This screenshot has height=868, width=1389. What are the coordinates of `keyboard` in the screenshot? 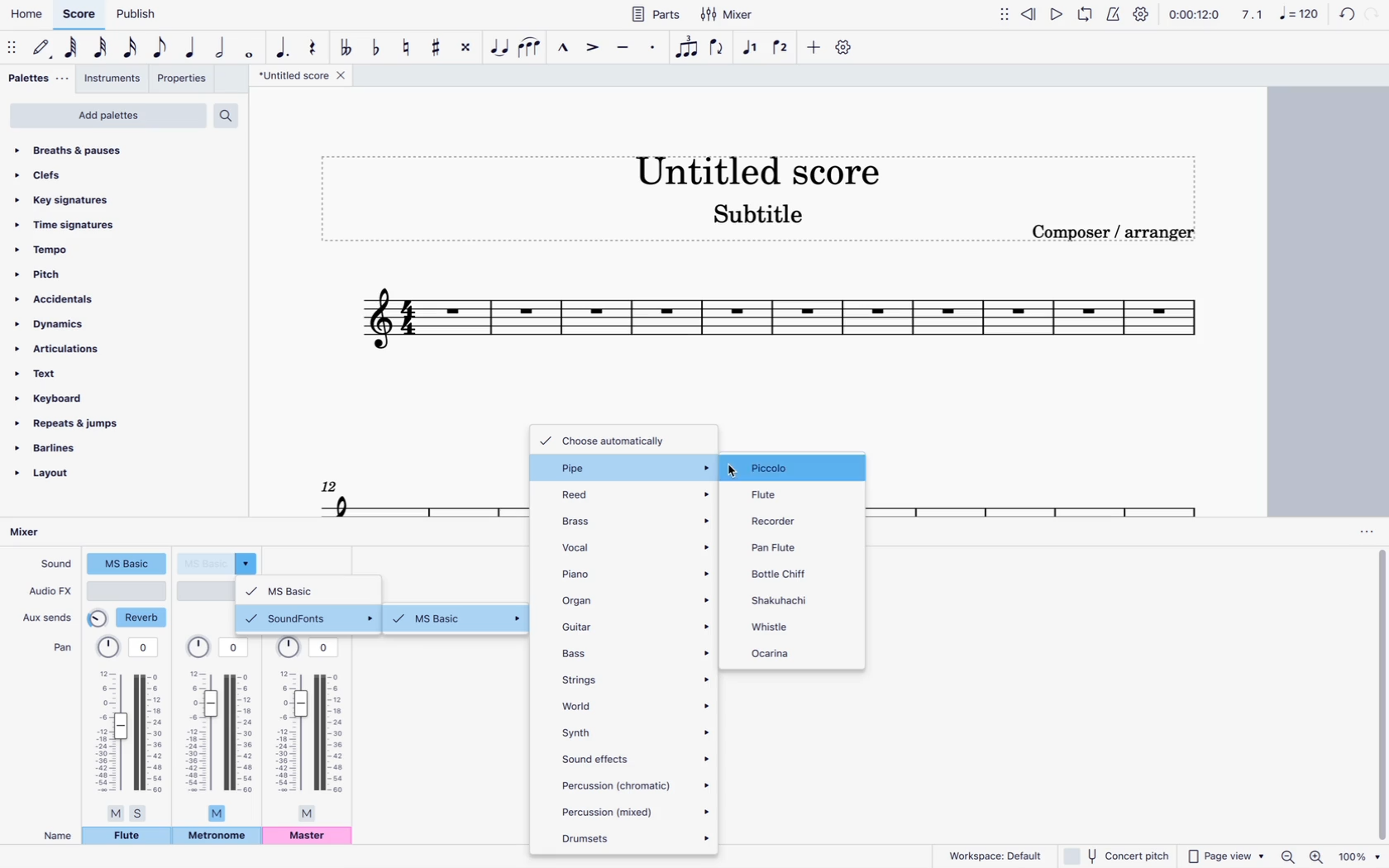 It's located at (94, 398).